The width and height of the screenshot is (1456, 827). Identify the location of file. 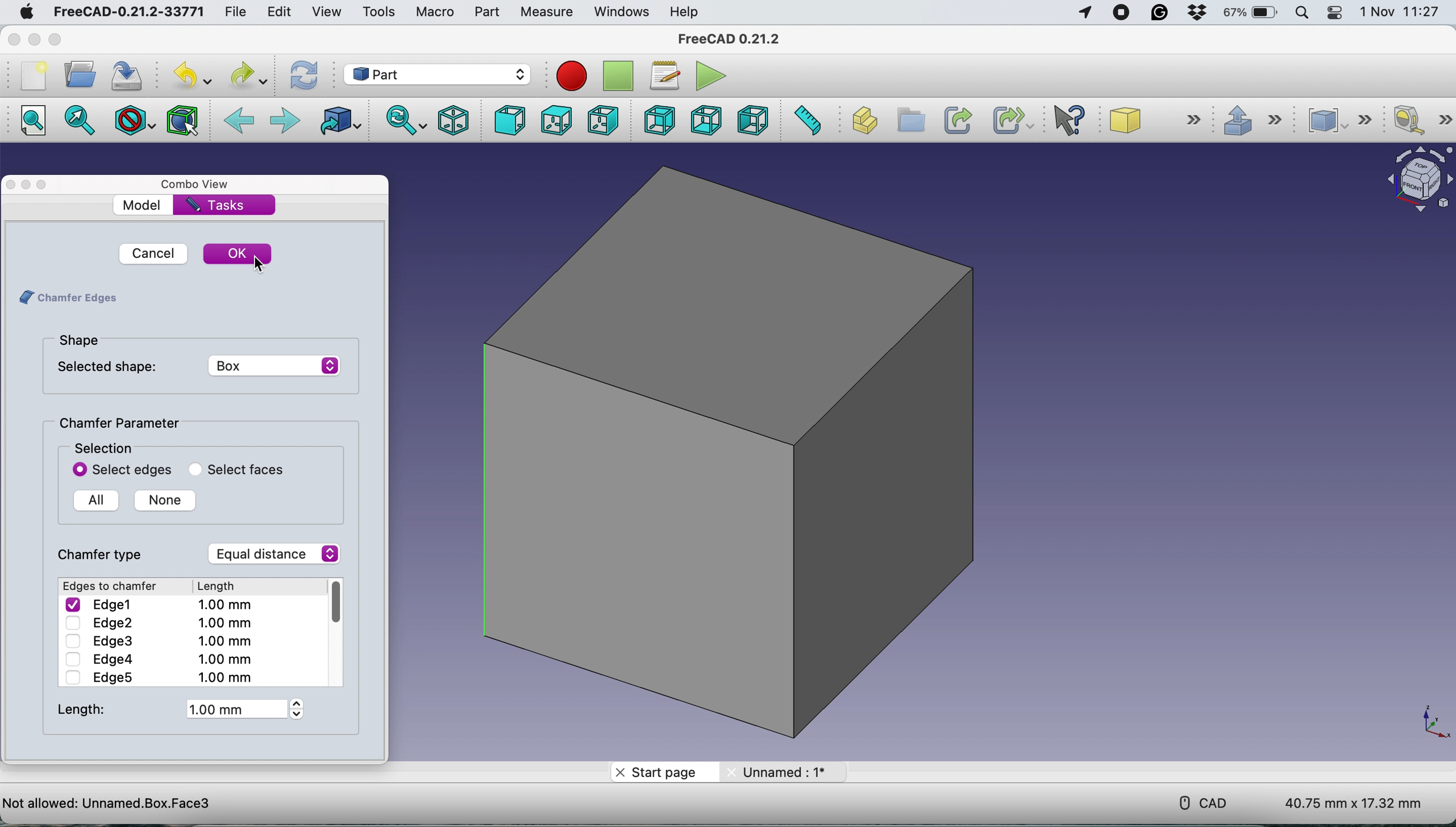
(233, 12).